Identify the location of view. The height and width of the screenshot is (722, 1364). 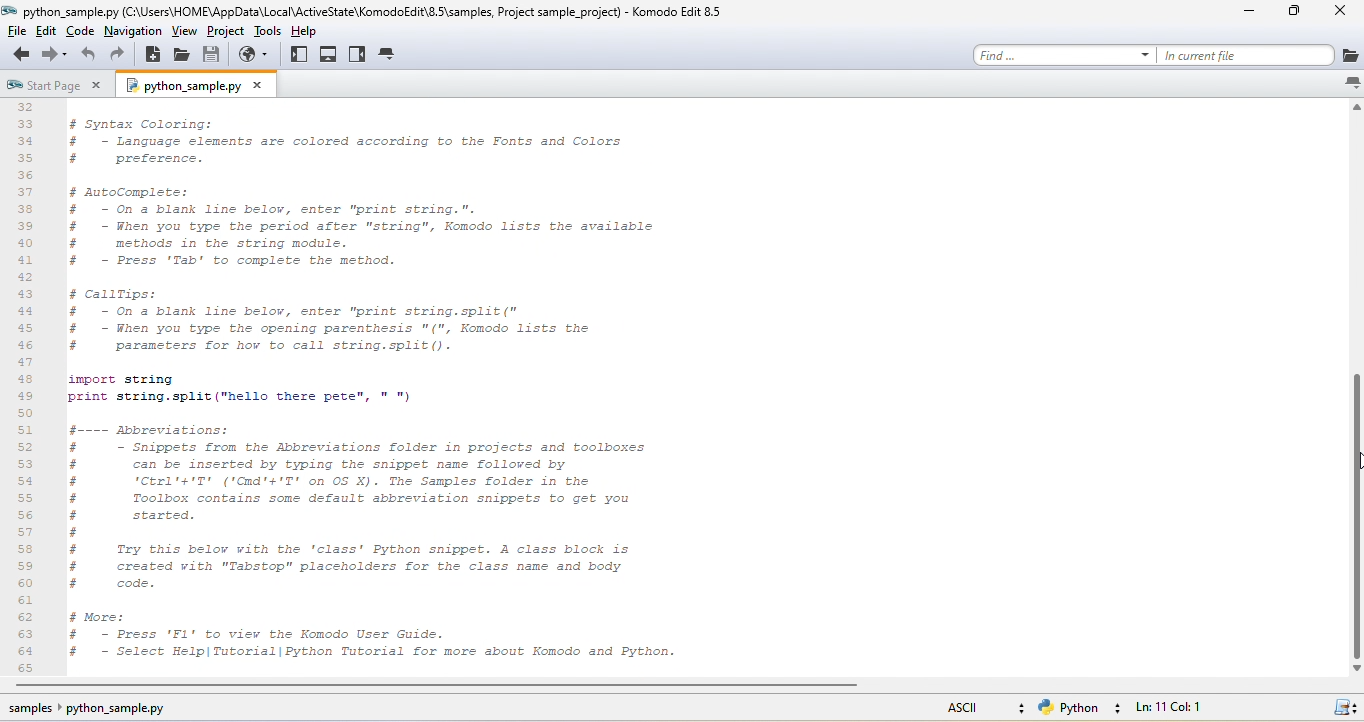
(184, 34).